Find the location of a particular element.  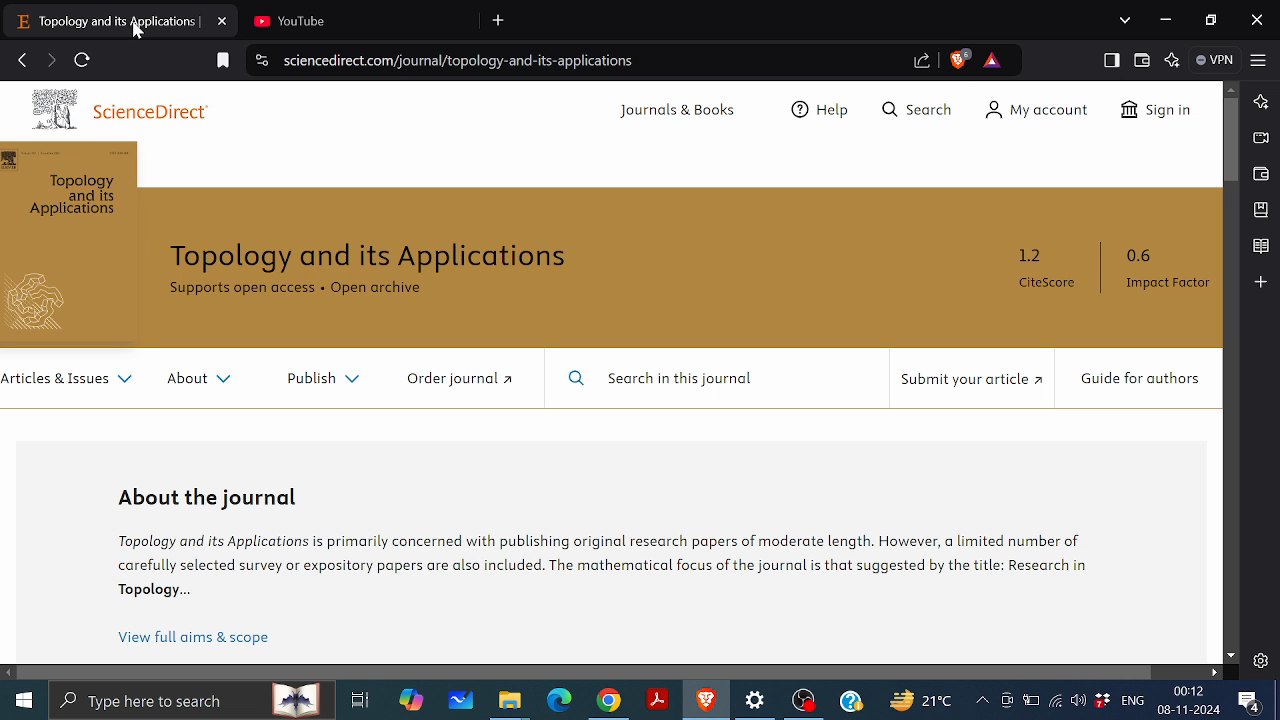

Notifications is located at coordinates (1250, 702).